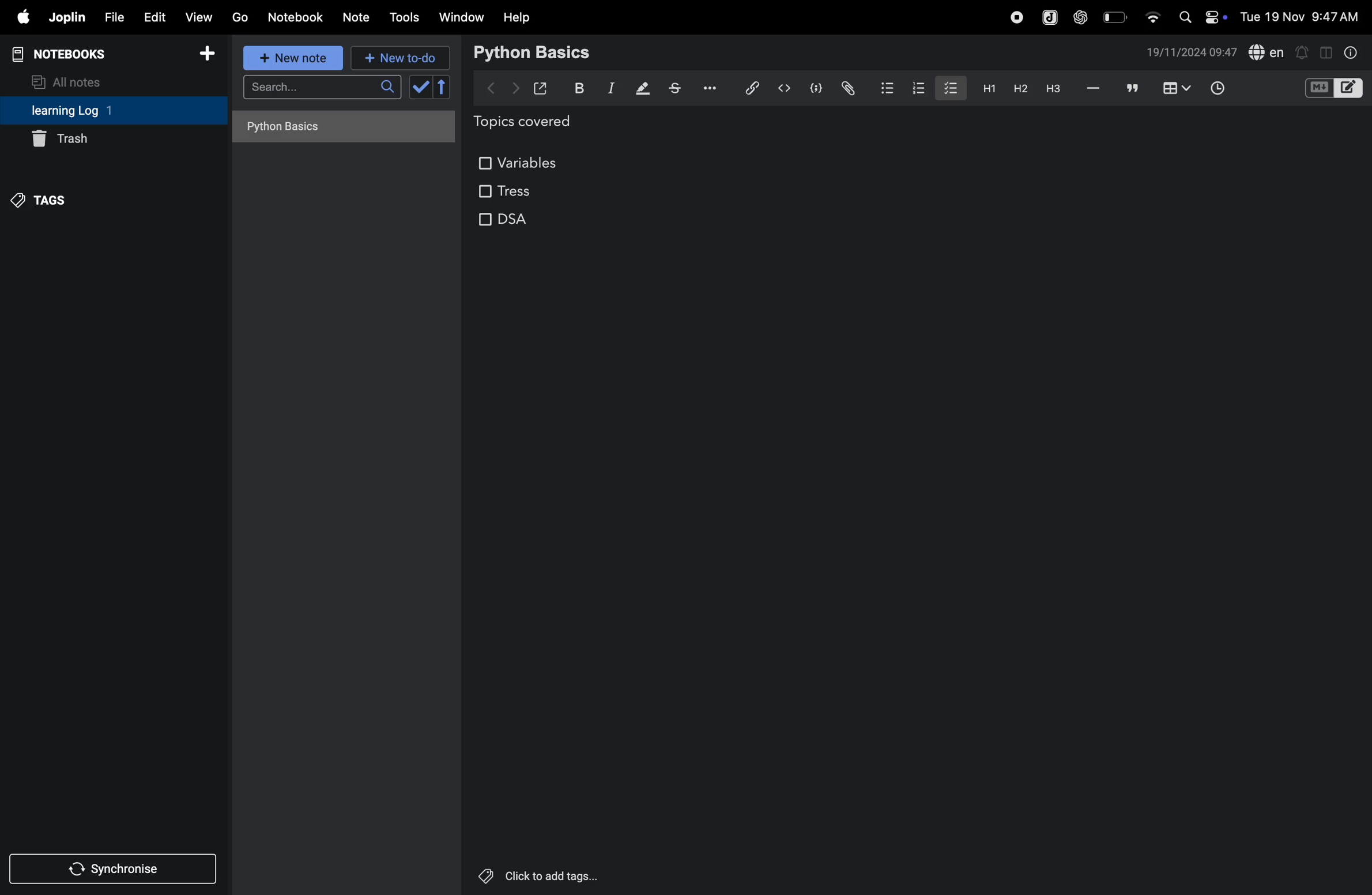 The width and height of the screenshot is (1372, 895). What do you see at coordinates (492, 87) in the screenshot?
I see `backward` at bounding box center [492, 87].